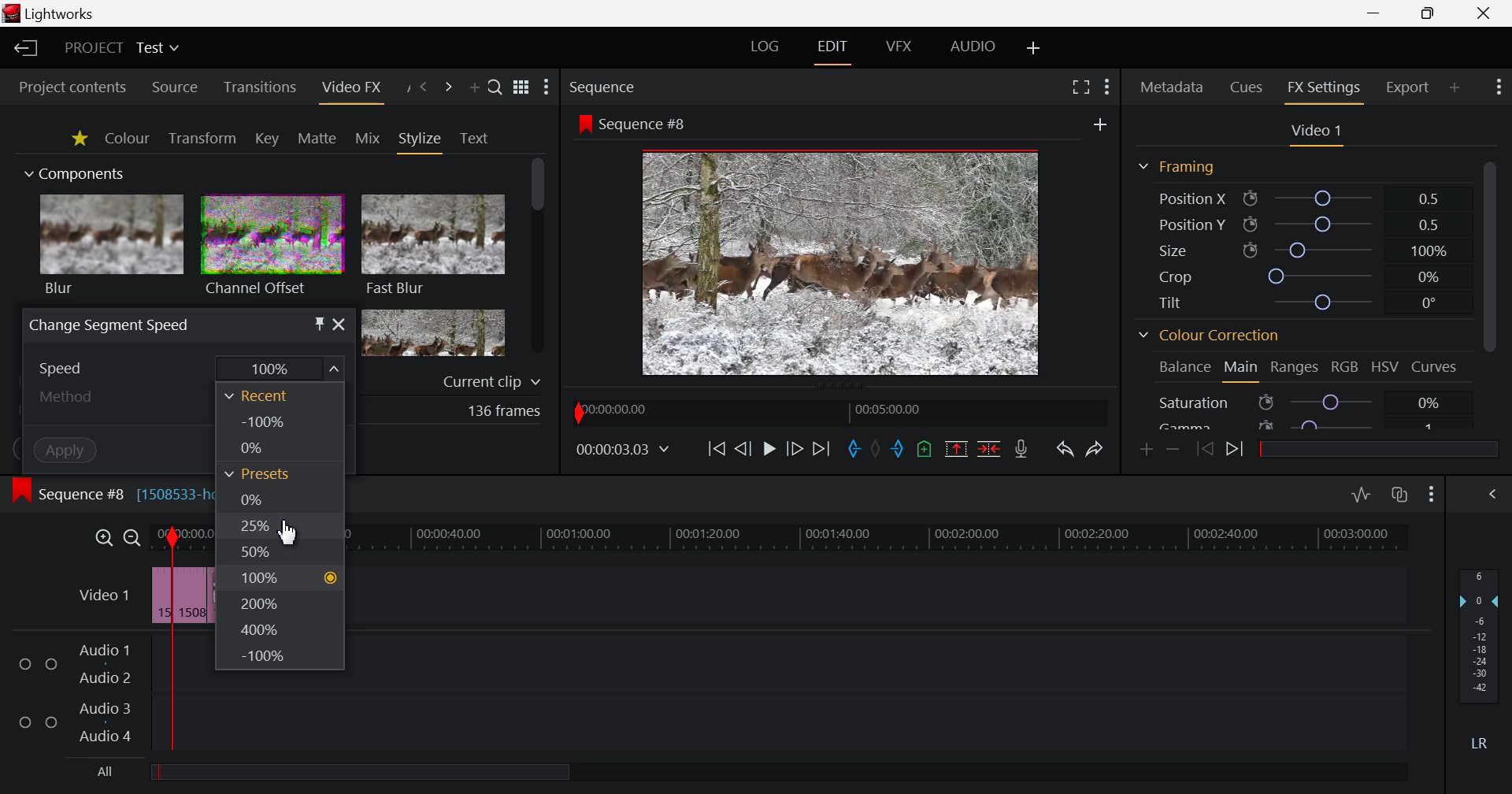 This screenshot has height=794, width=1512. I want to click on Project Title, so click(124, 47).